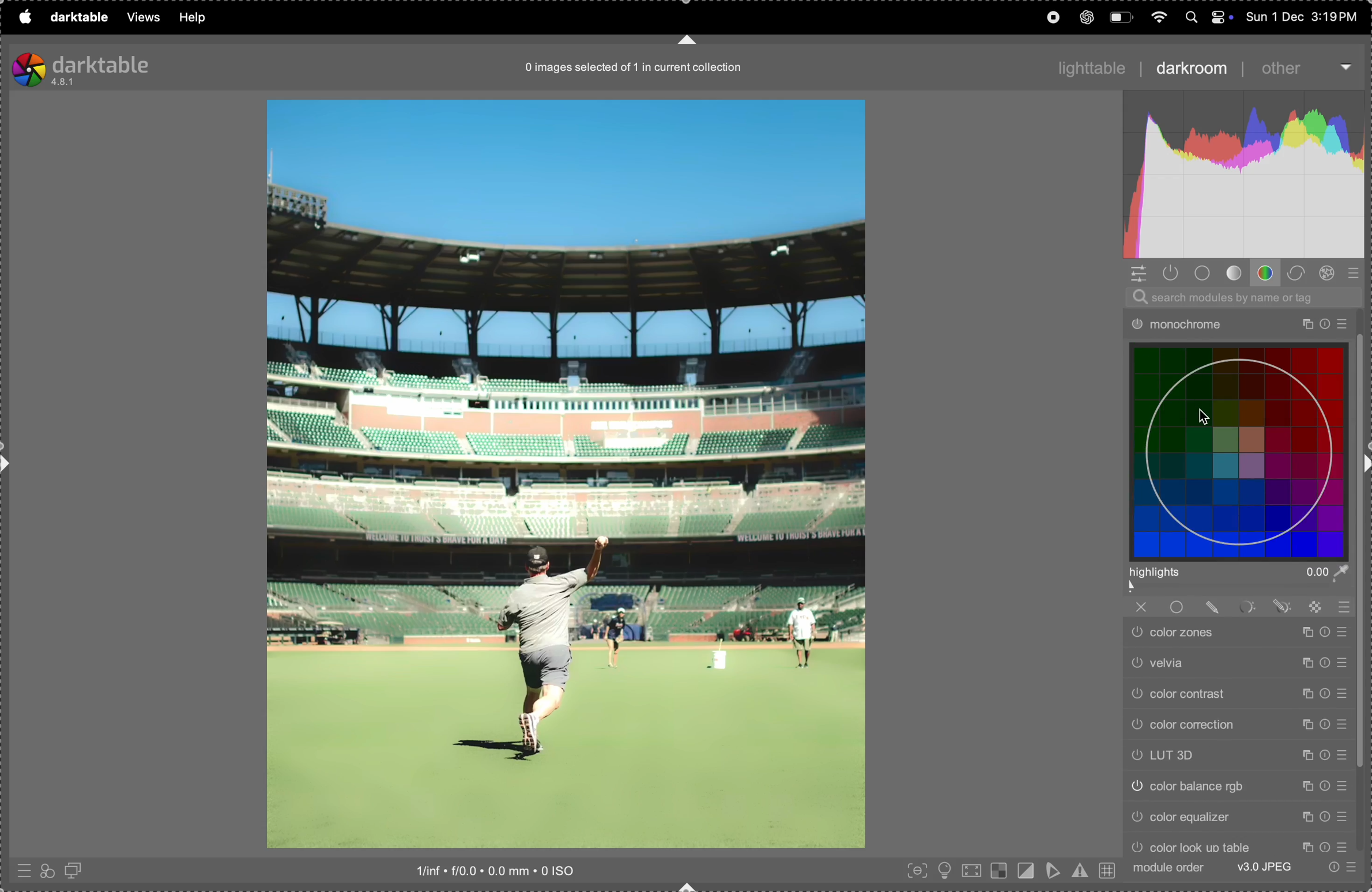  Describe the element at coordinates (1051, 16) in the screenshot. I see `record` at that location.